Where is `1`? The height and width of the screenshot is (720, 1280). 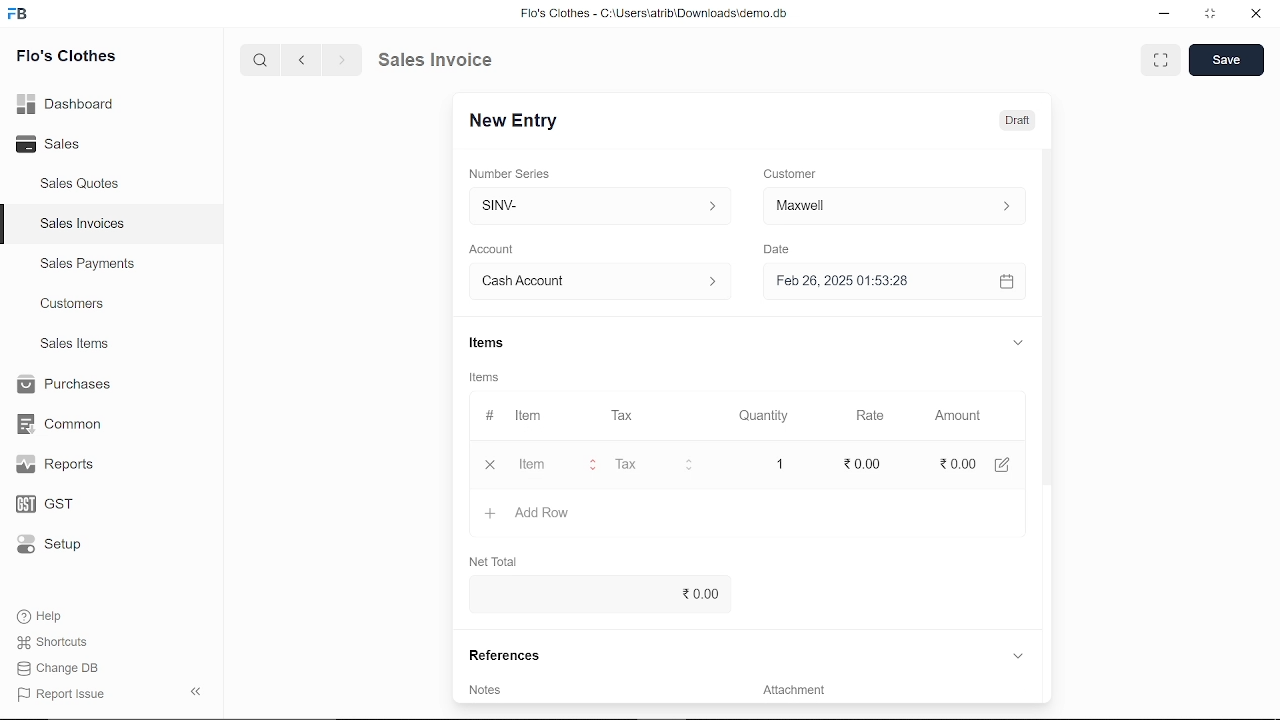
1 is located at coordinates (762, 464).